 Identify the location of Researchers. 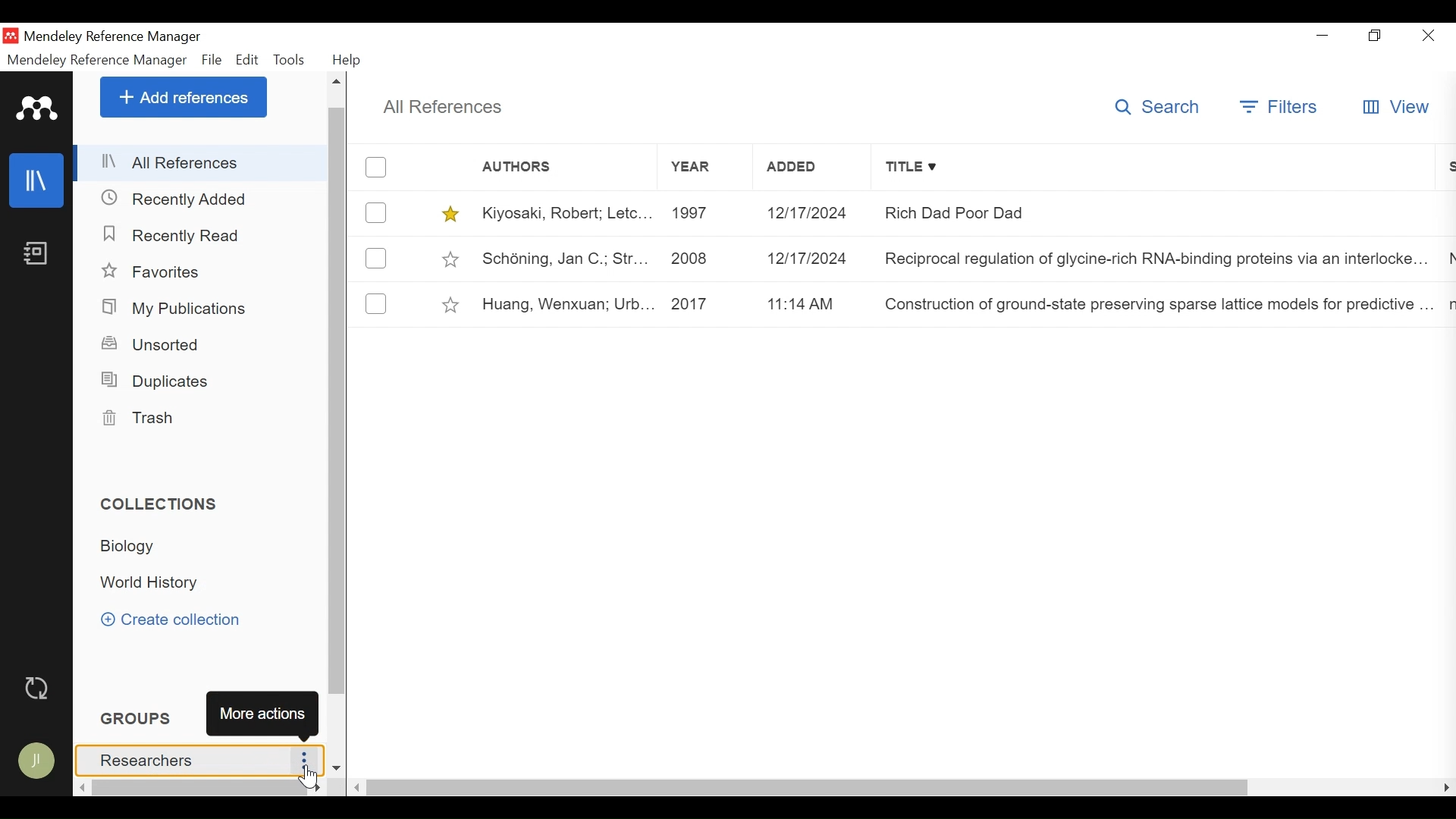
(197, 761).